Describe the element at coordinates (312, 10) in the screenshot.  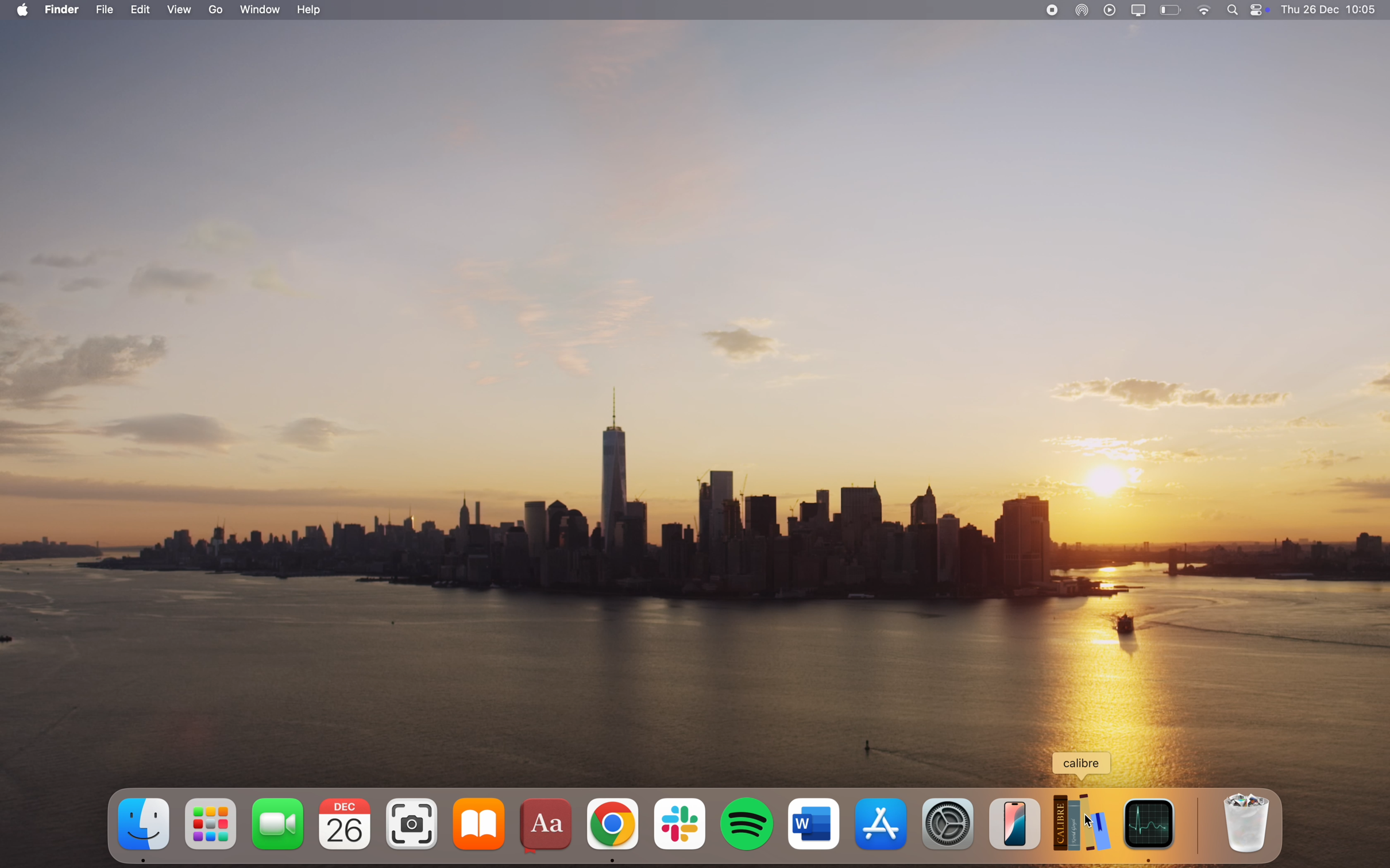
I see `help` at that location.